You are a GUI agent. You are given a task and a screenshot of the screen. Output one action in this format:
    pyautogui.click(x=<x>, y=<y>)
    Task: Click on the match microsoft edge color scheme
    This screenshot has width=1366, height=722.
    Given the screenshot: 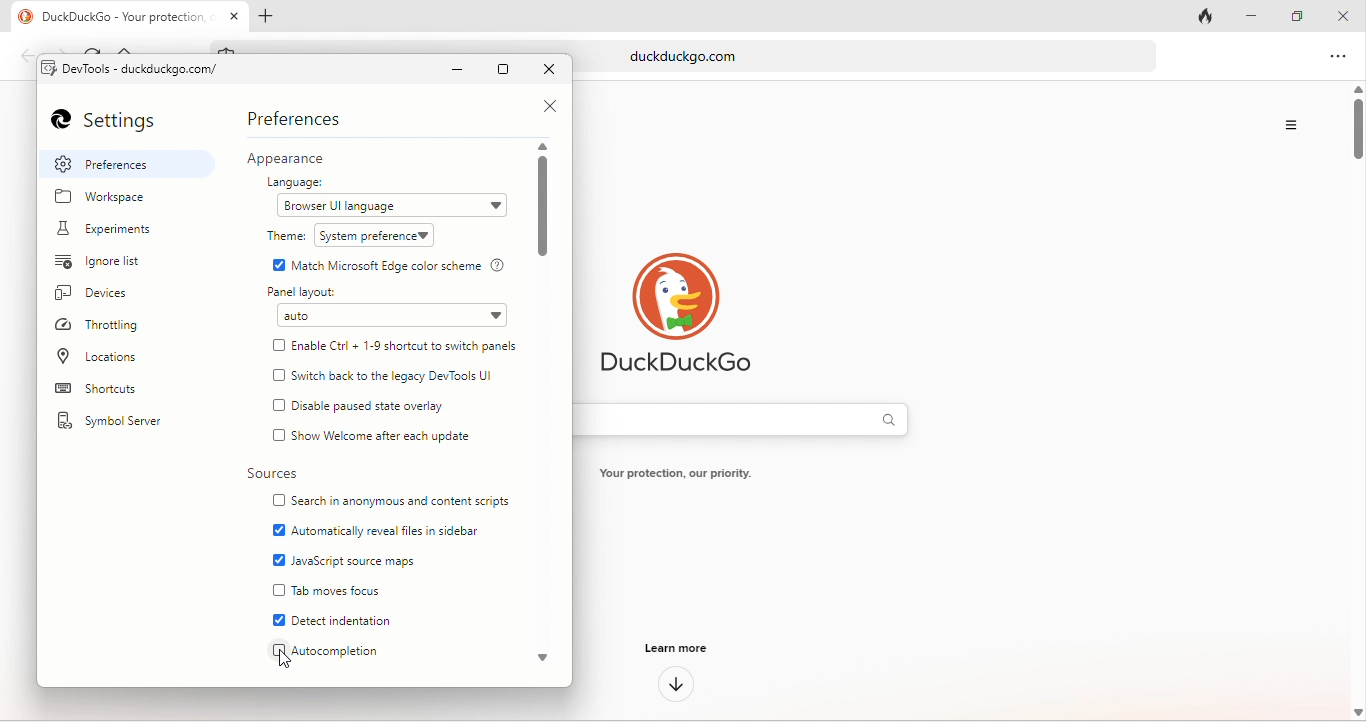 What is the action you would take?
    pyautogui.click(x=402, y=265)
    